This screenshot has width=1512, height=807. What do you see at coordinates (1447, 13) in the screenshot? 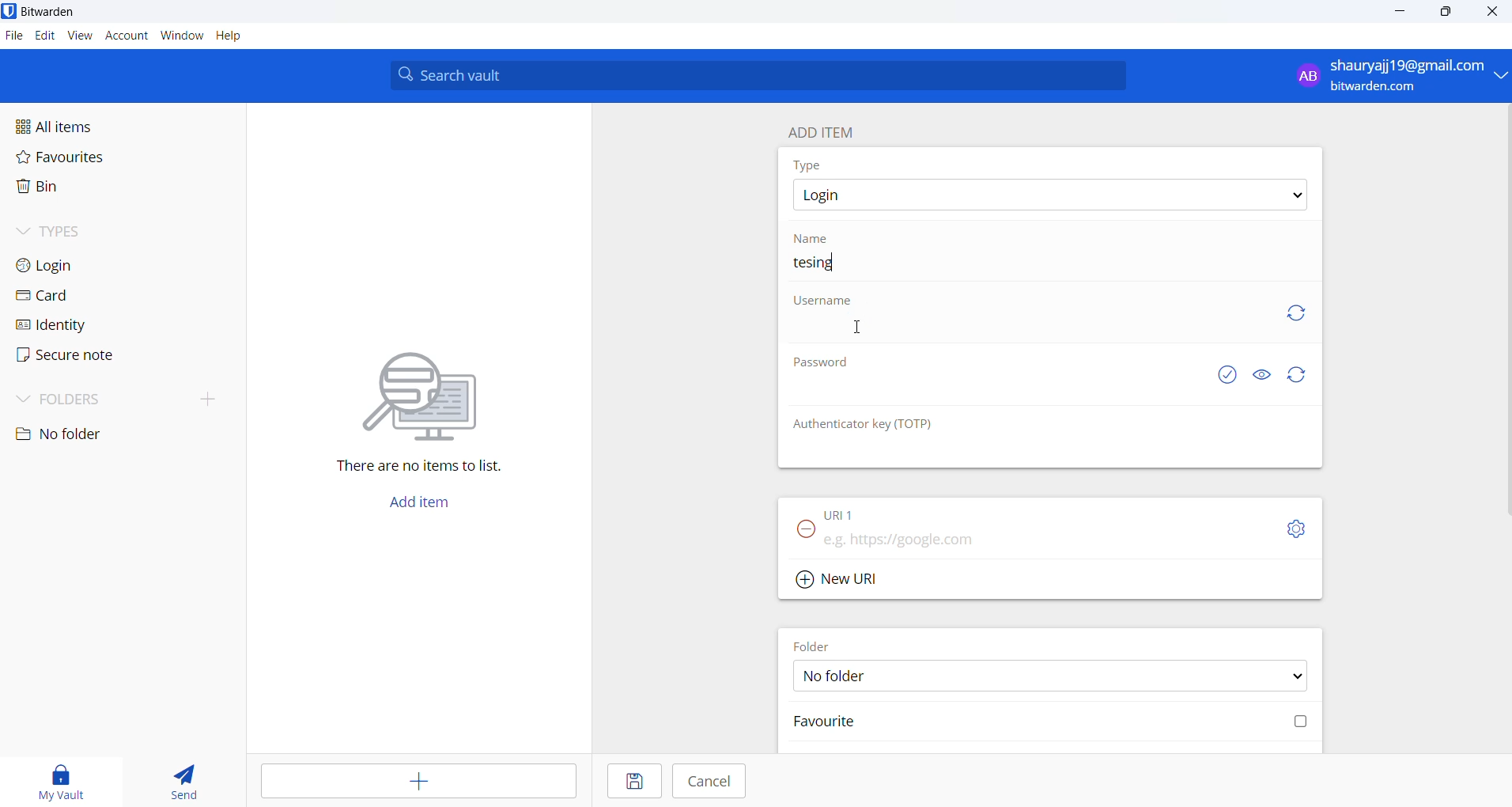
I see `maximize` at bounding box center [1447, 13].